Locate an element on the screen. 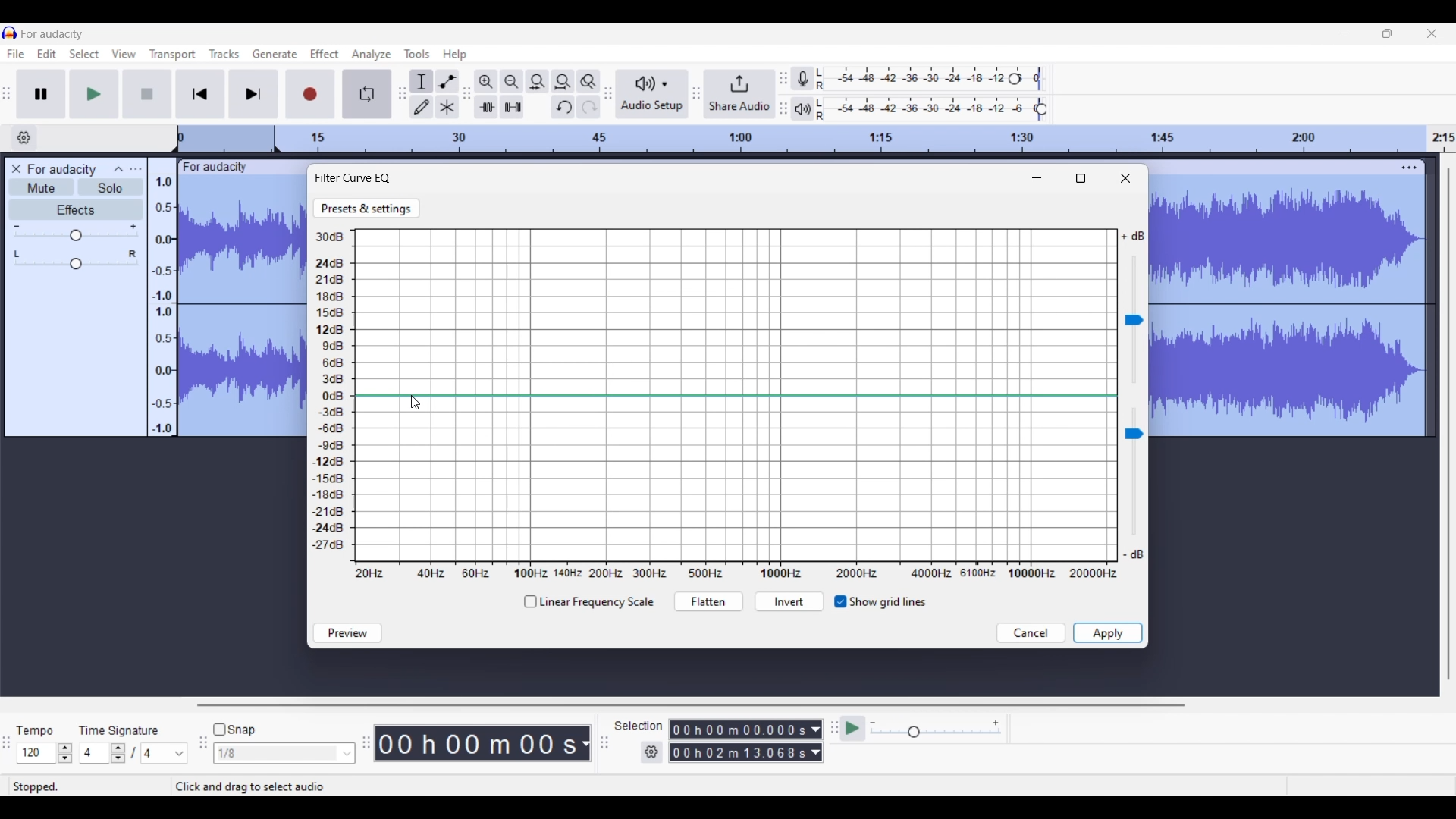 This screenshot has width=1456, height=819. Selection settings is located at coordinates (651, 752).